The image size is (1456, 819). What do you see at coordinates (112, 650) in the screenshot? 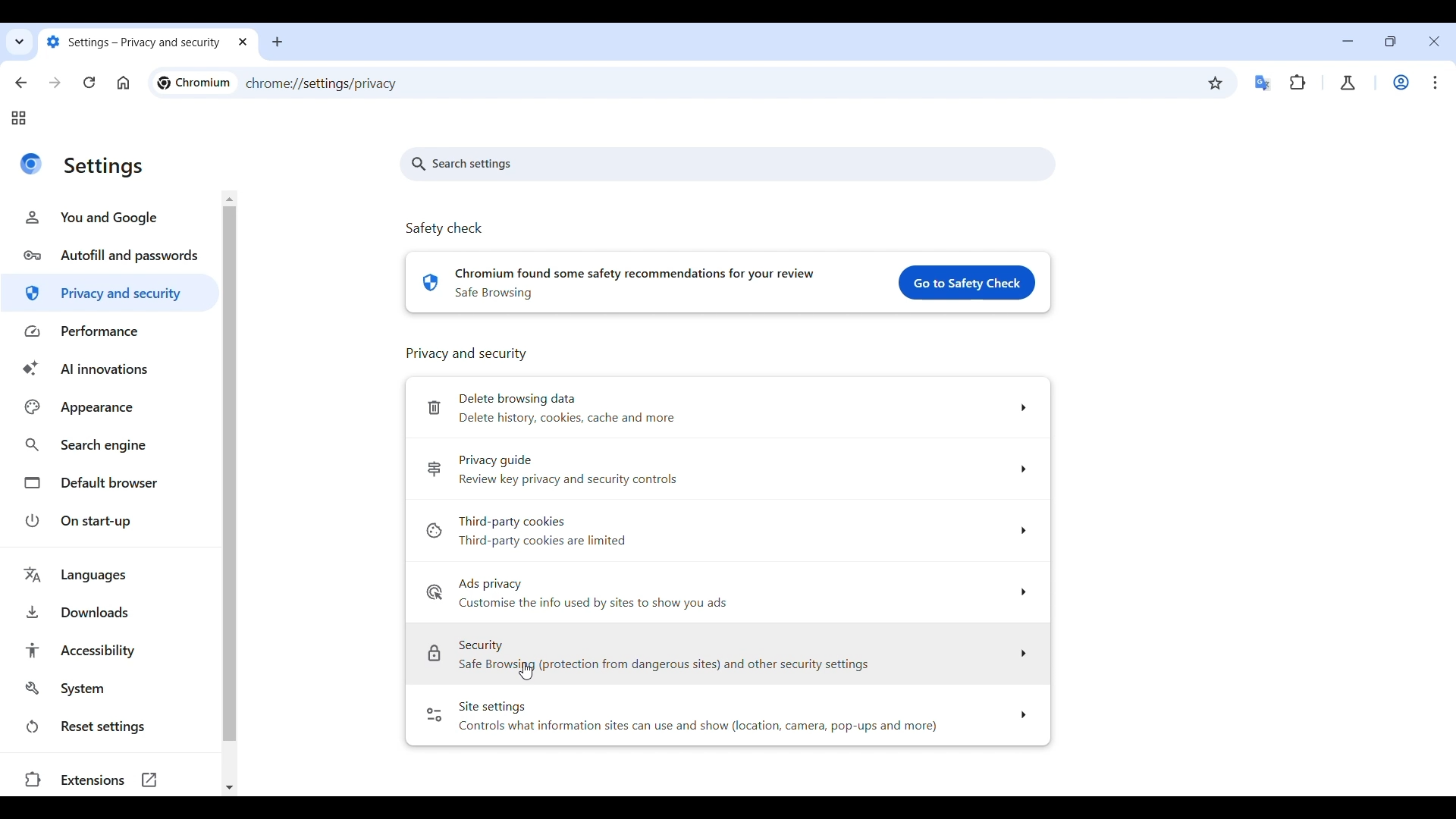
I see `Accessibility` at bounding box center [112, 650].